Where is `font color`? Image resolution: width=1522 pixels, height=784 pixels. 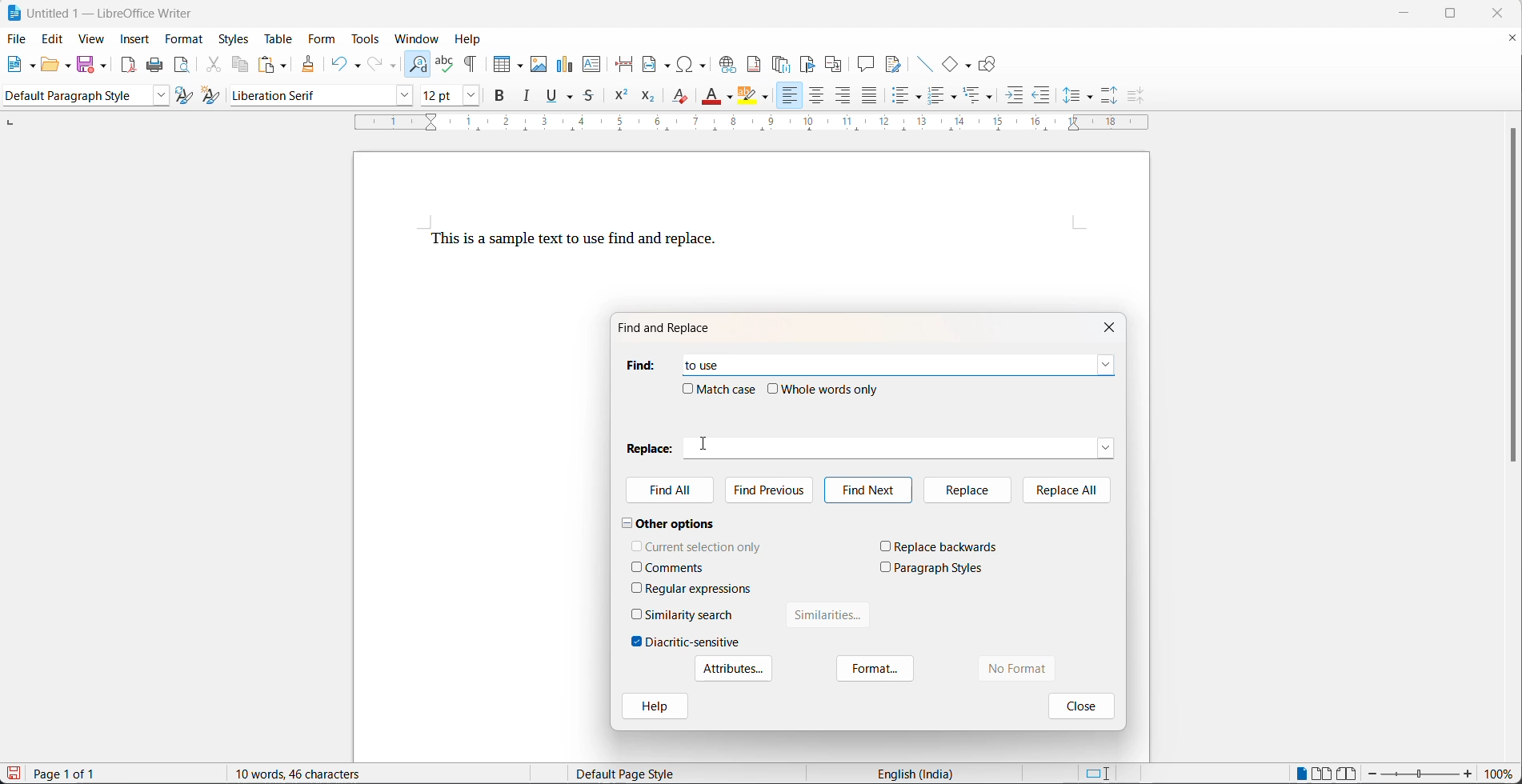 font color is located at coordinates (712, 95).